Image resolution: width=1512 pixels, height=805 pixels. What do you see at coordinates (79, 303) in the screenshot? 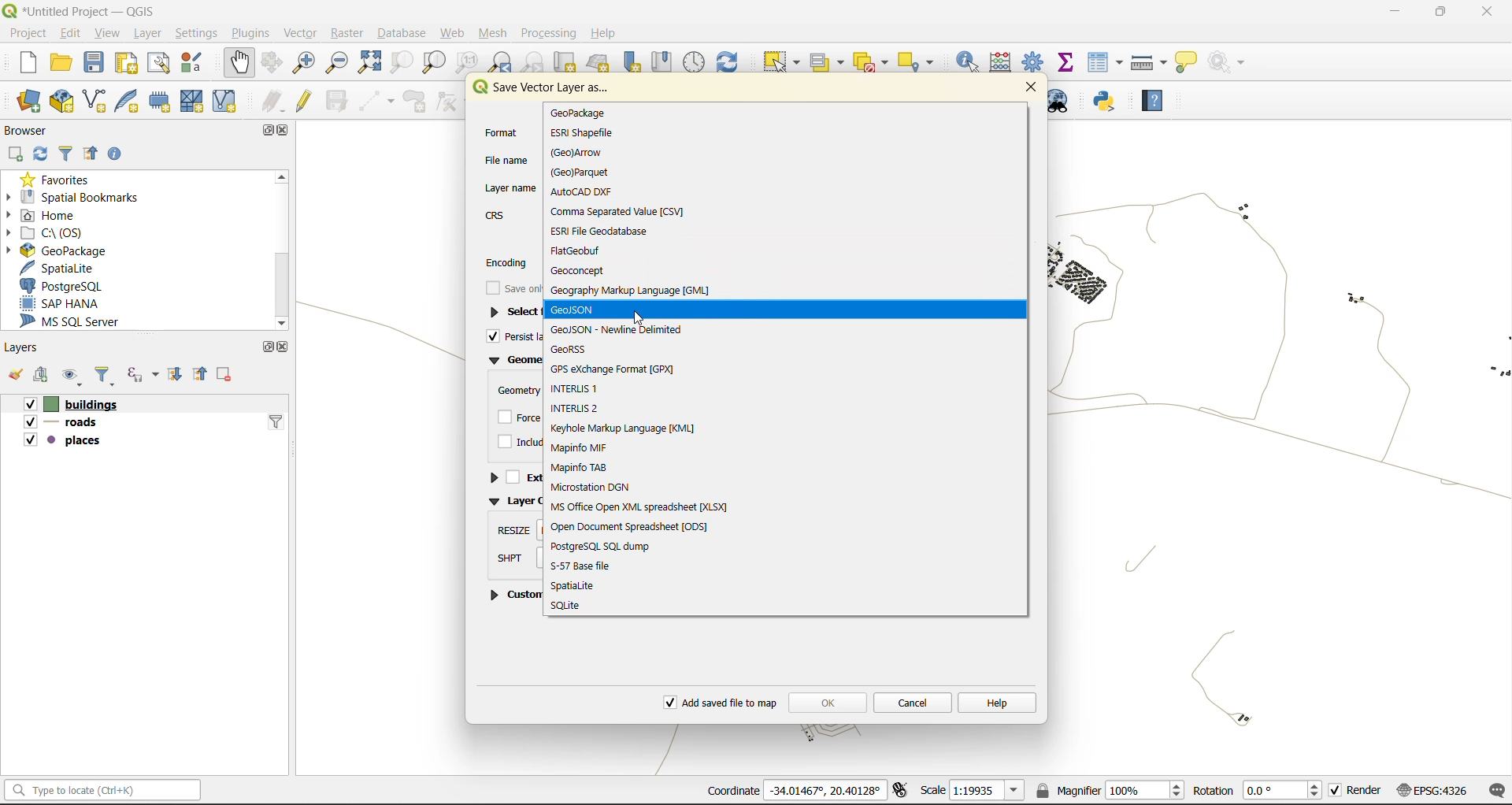
I see `sap hana` at bounding box center [79, 303].